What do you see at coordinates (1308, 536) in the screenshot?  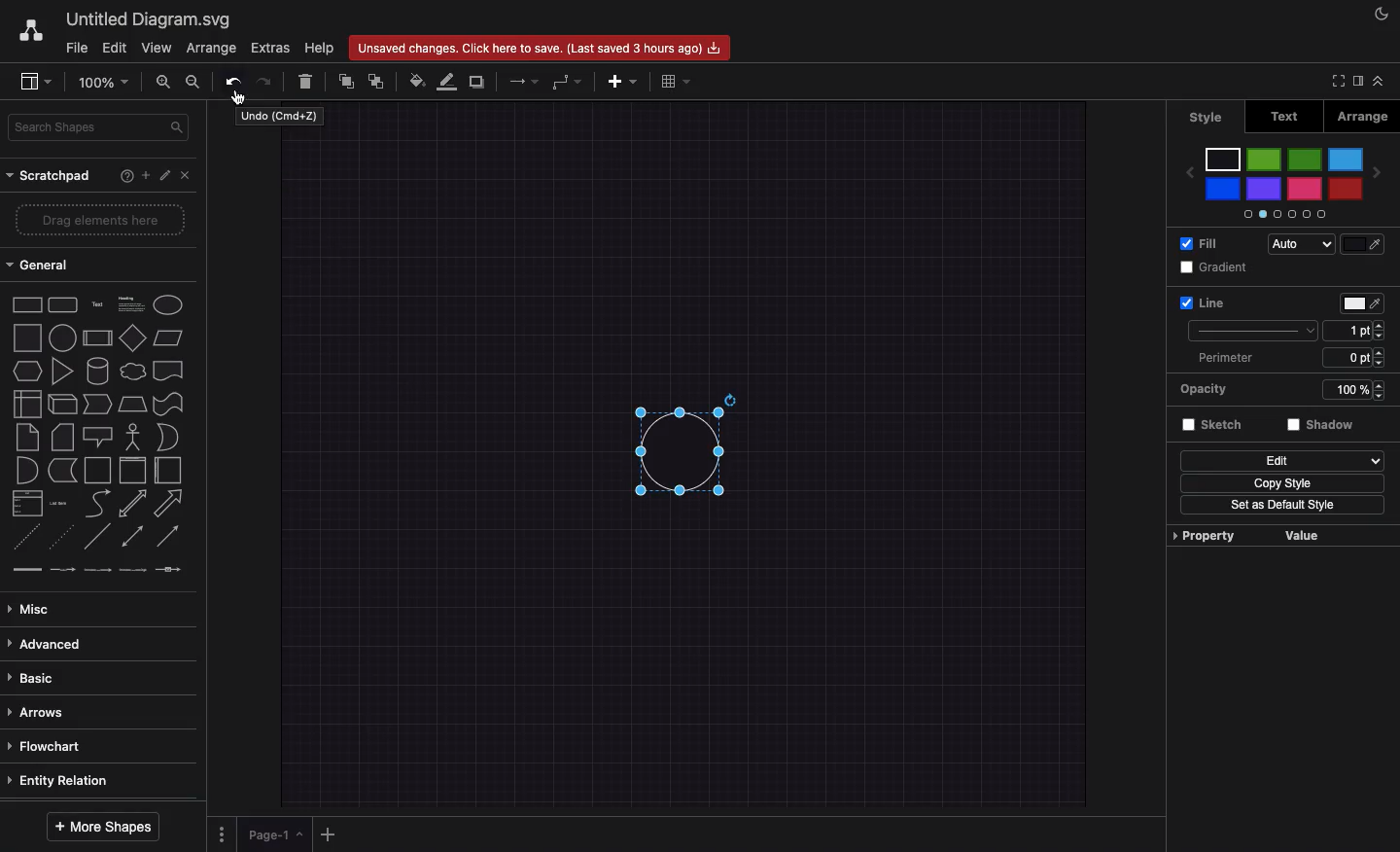 I see `Property` at bounding box center [1308, 536].